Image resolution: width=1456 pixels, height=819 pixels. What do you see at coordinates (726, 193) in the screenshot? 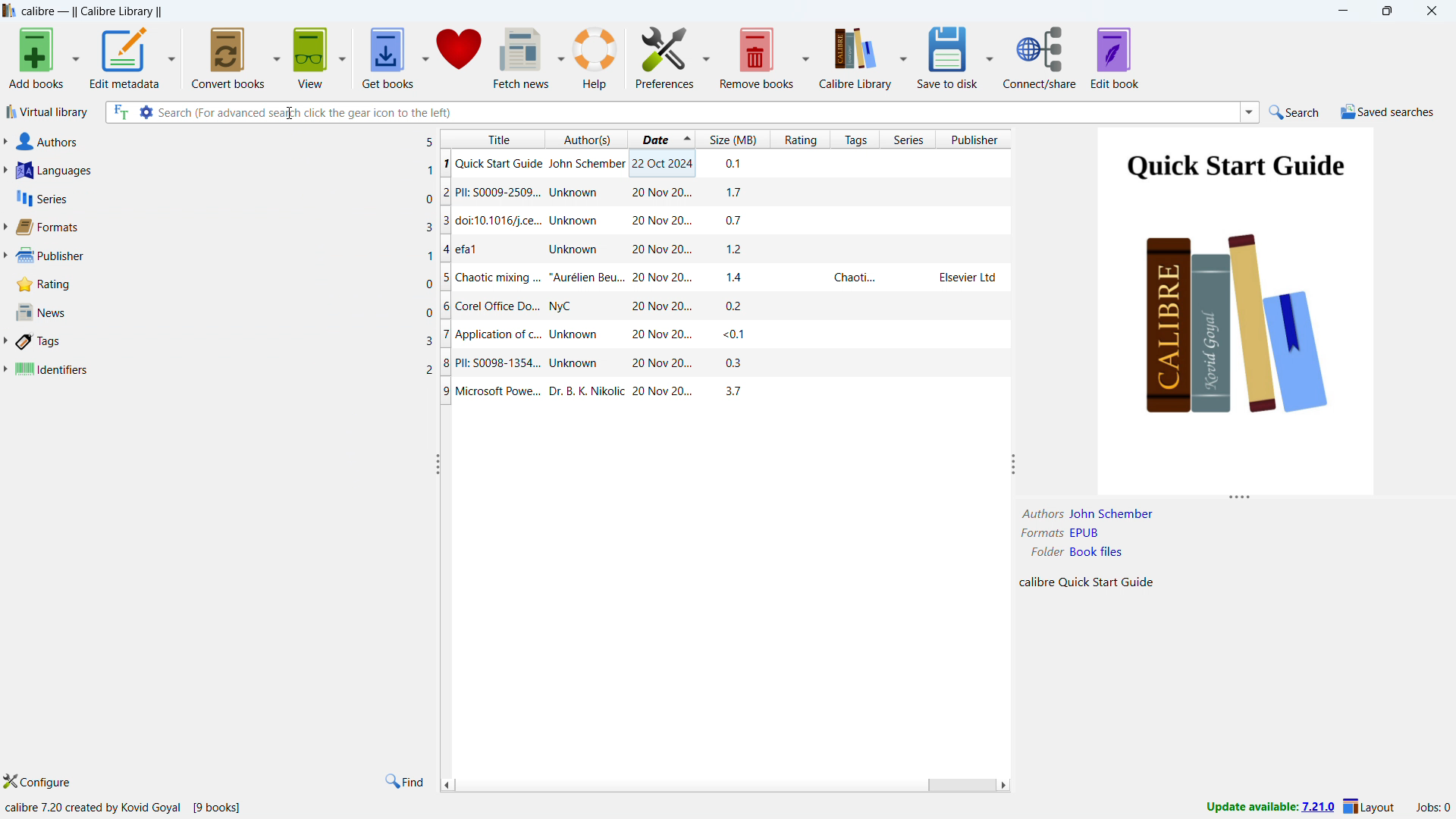
I see `PIL: S009-2509...` at bounding box center [726, 193].